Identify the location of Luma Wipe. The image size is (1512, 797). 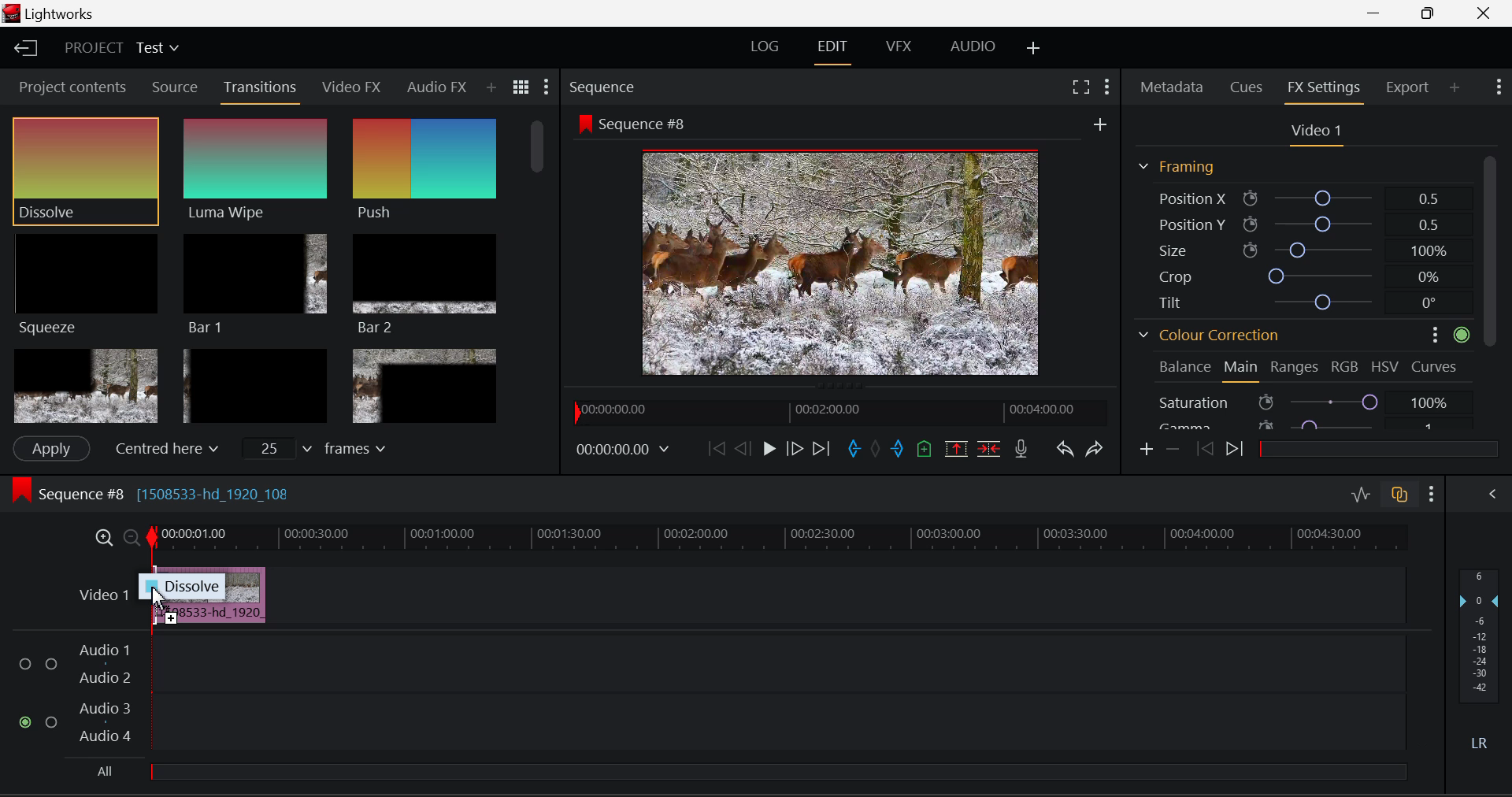
(255, 169).